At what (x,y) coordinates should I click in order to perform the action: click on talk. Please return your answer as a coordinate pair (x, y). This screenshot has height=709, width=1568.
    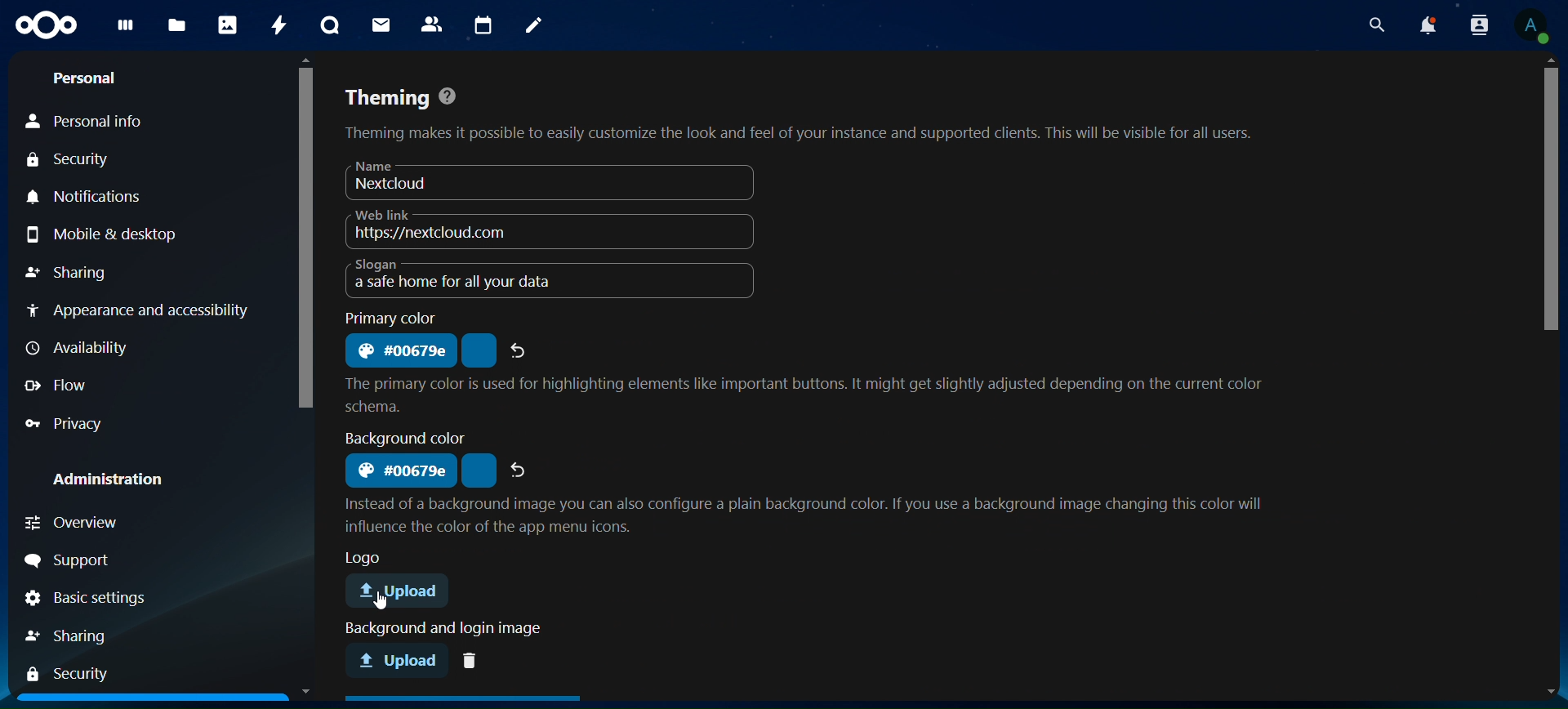
    Looking at the image, I should click on (331, 25).